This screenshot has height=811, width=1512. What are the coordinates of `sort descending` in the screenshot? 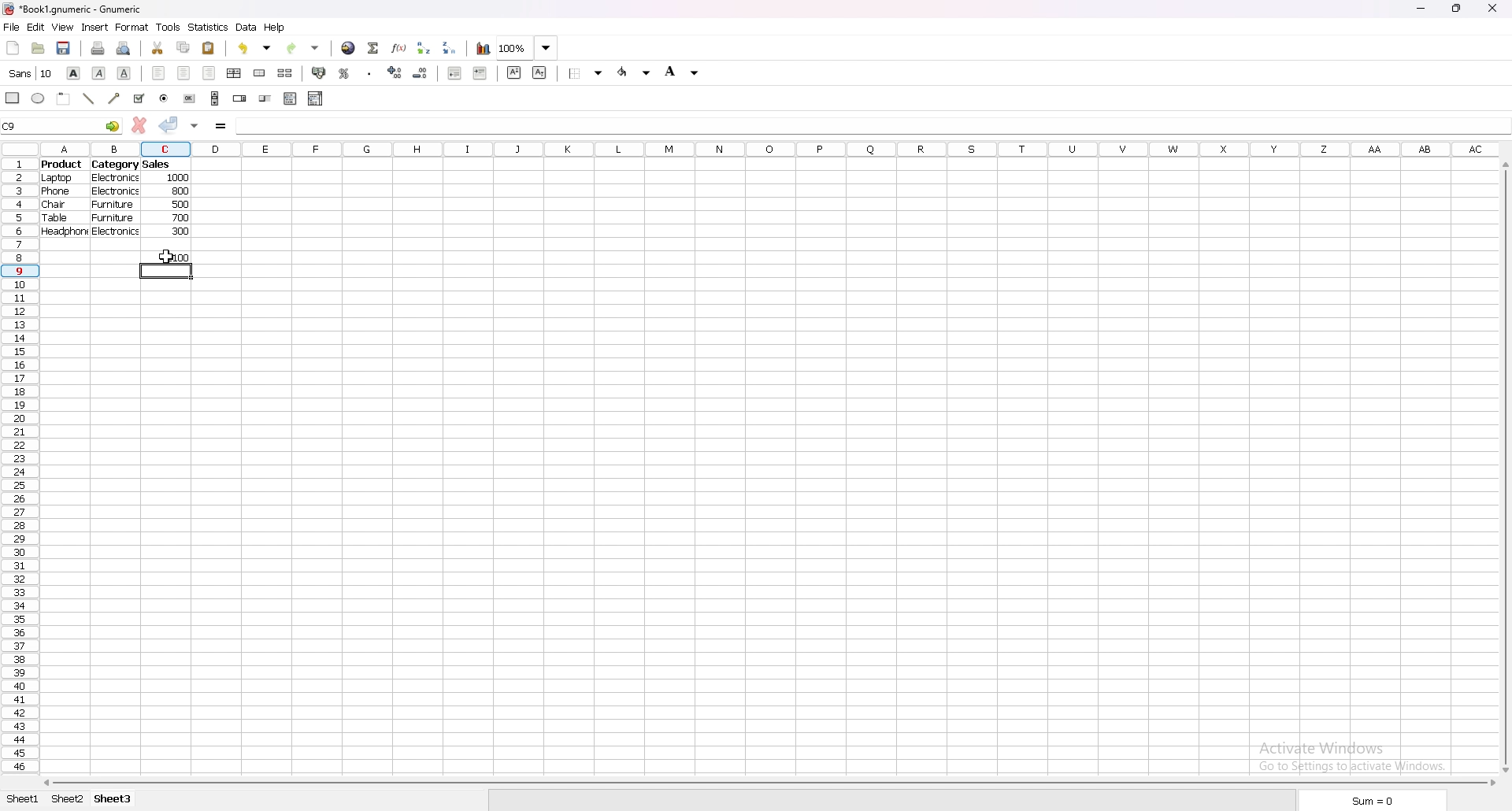 It's located at (449, 47).